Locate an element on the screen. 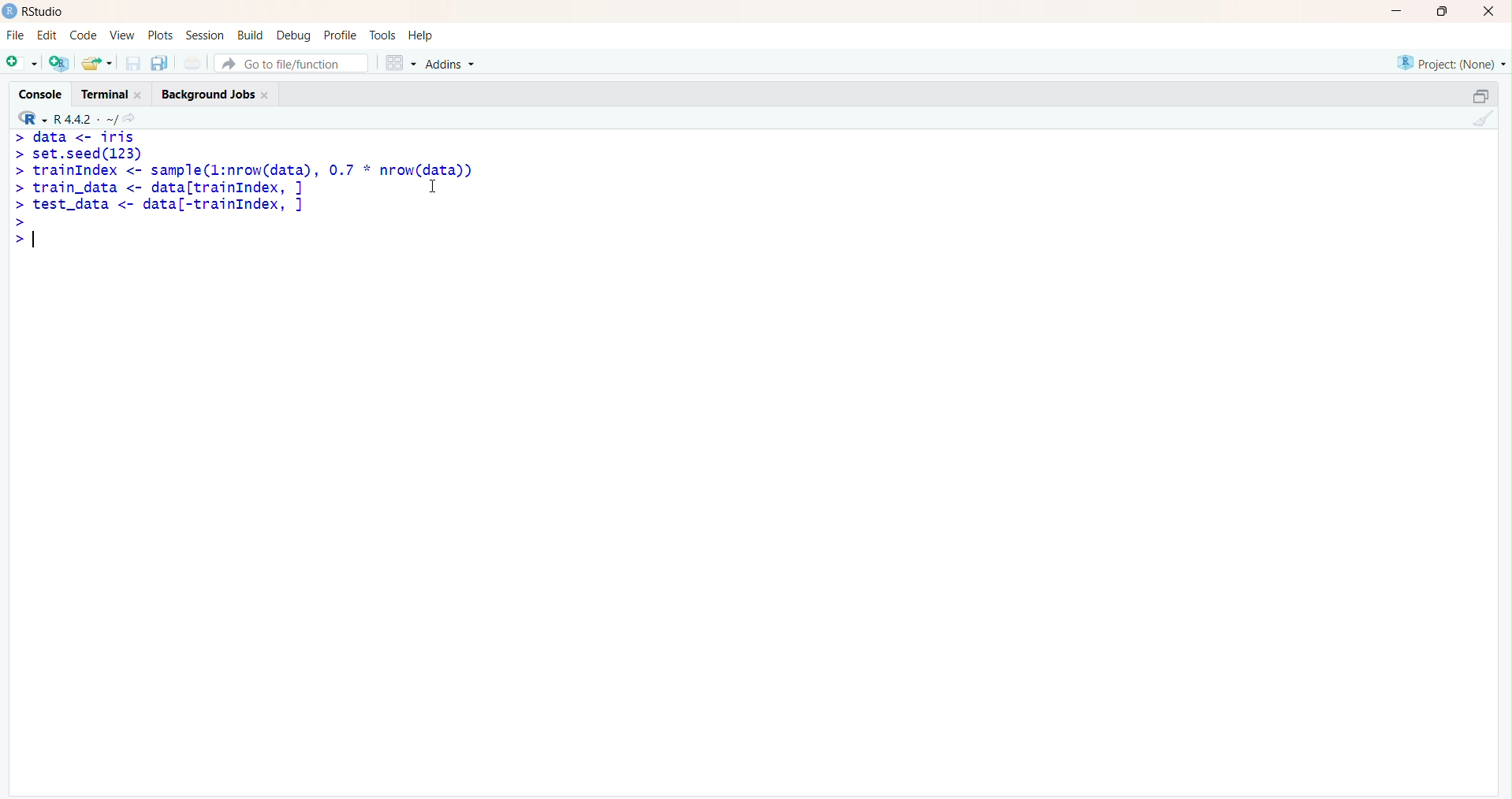  Go to file/function is located at coordinates (290, 61).